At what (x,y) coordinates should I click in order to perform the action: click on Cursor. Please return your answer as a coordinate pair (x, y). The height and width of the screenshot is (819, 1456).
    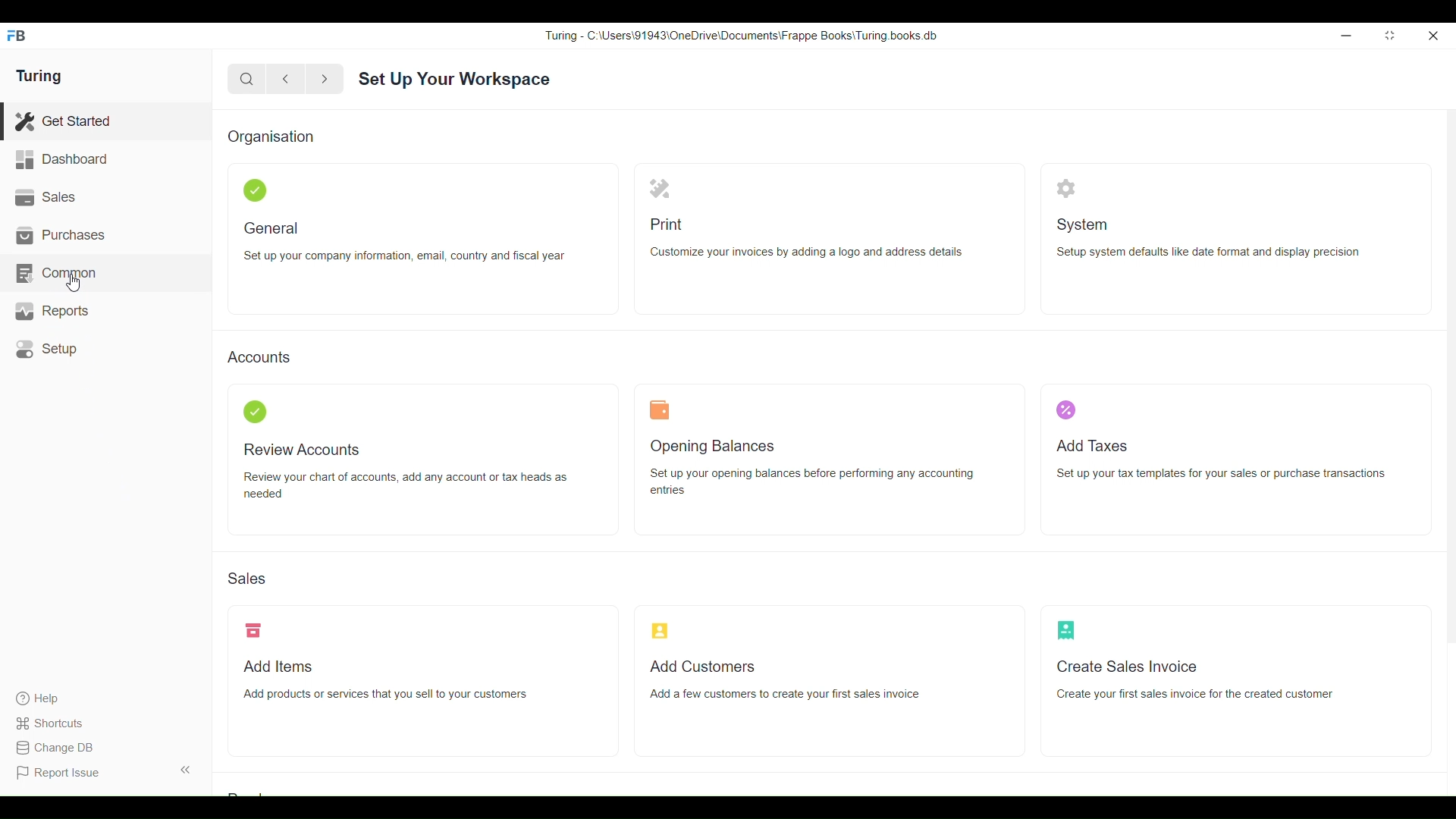
    Looking at the image, I should click on (74, 282).